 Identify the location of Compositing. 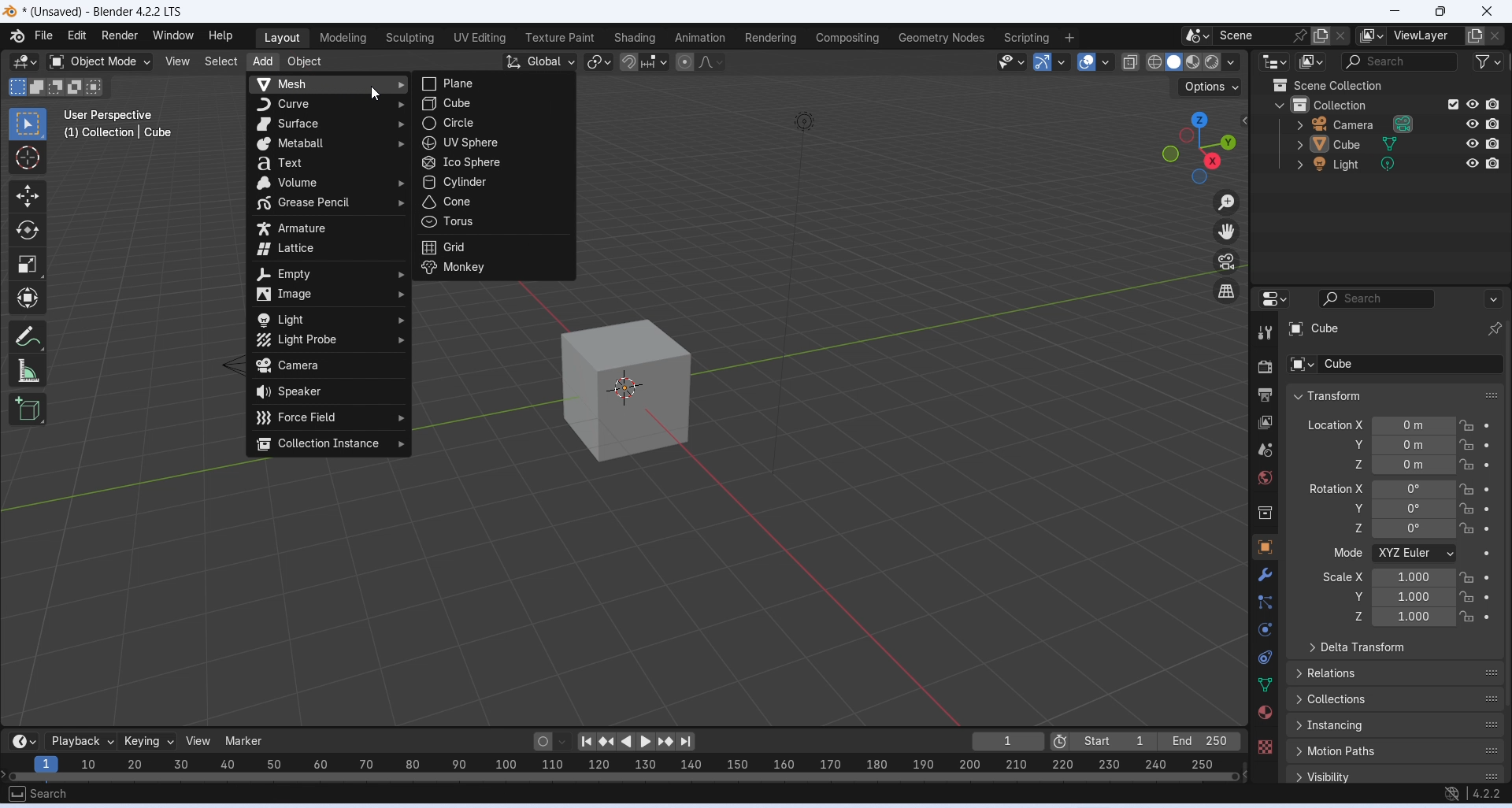
(848, 37).